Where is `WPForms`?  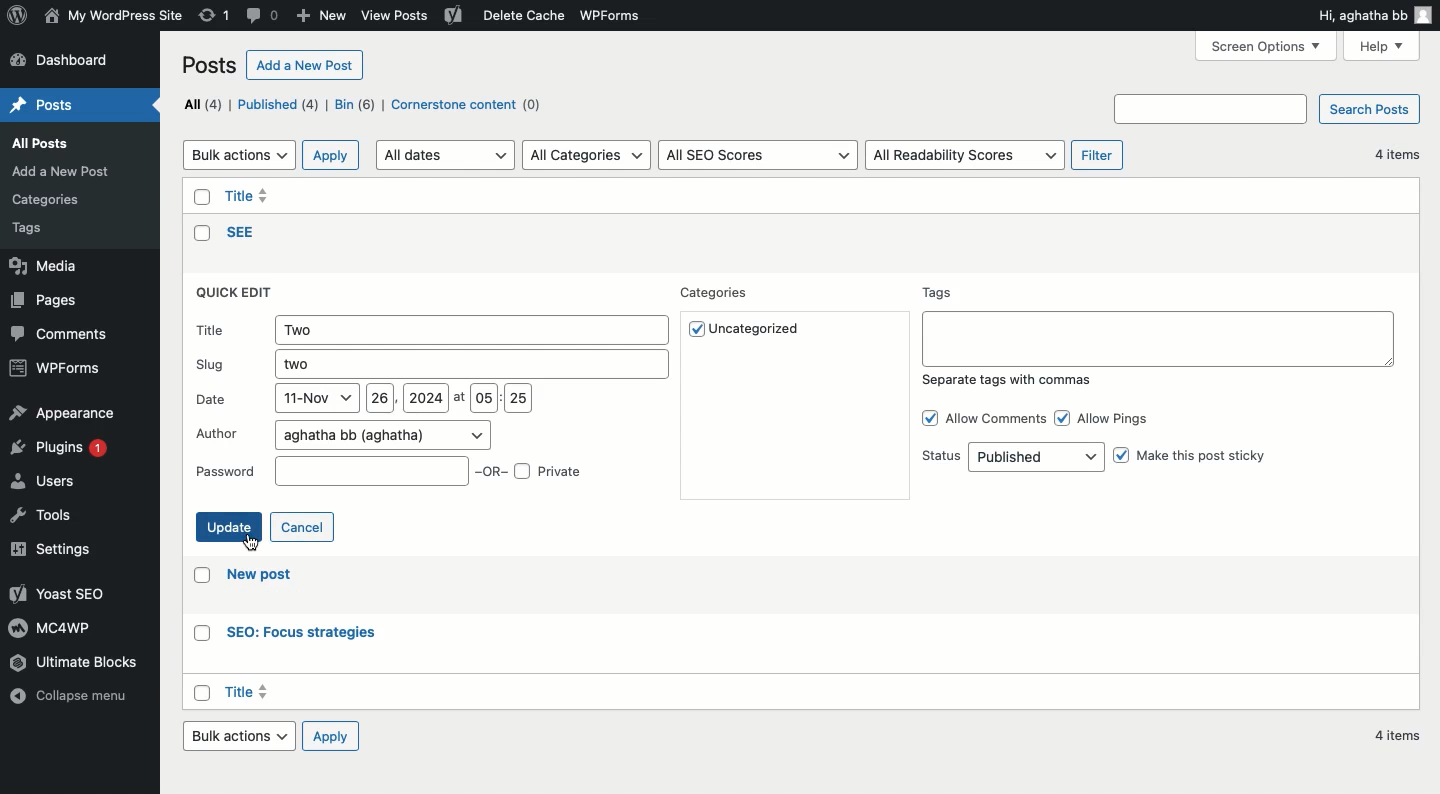
WPForms is located at coordinates (56, 367).